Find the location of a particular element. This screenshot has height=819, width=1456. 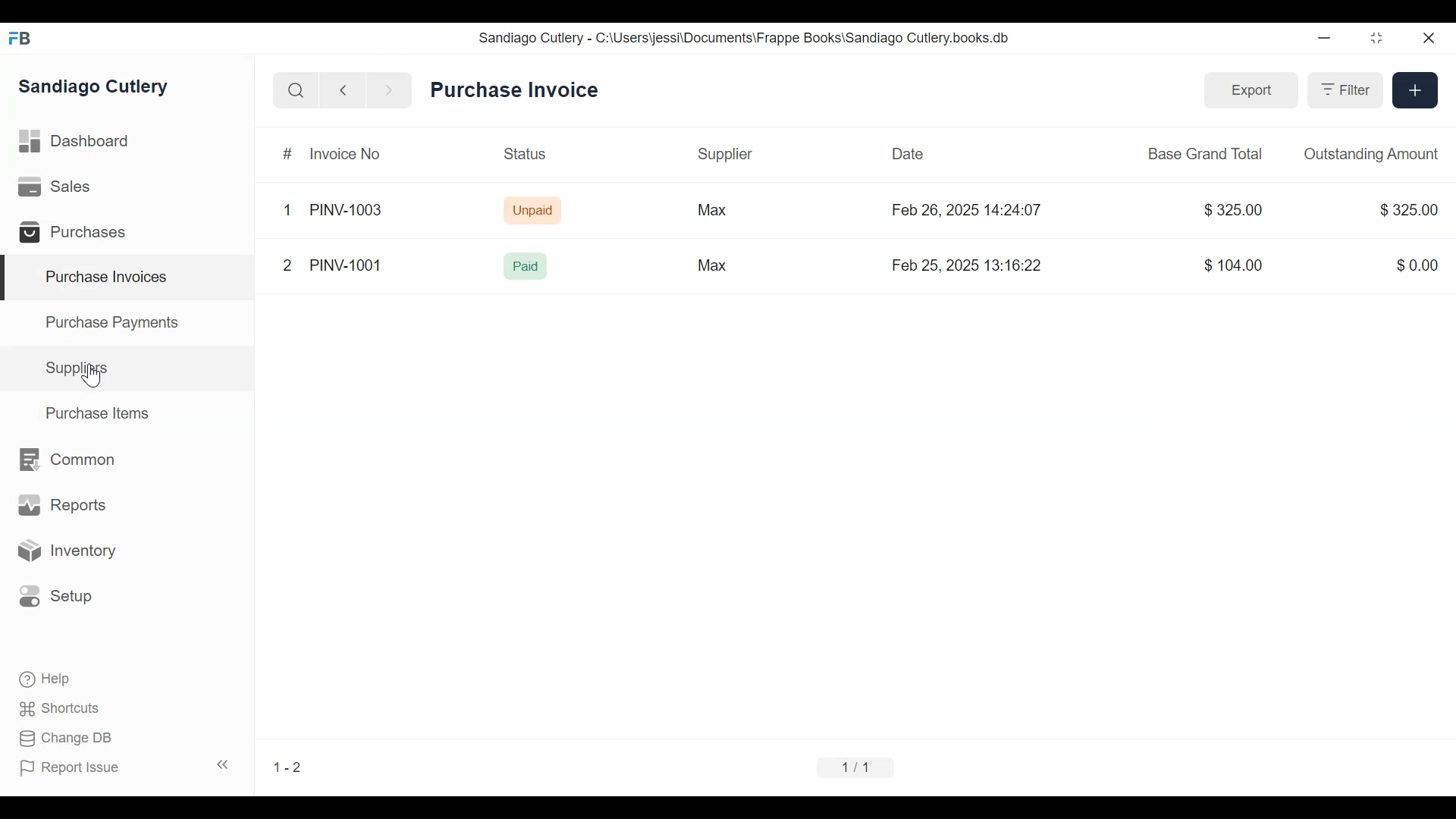

[FP Report Issue is located at coordinates (74, 772).